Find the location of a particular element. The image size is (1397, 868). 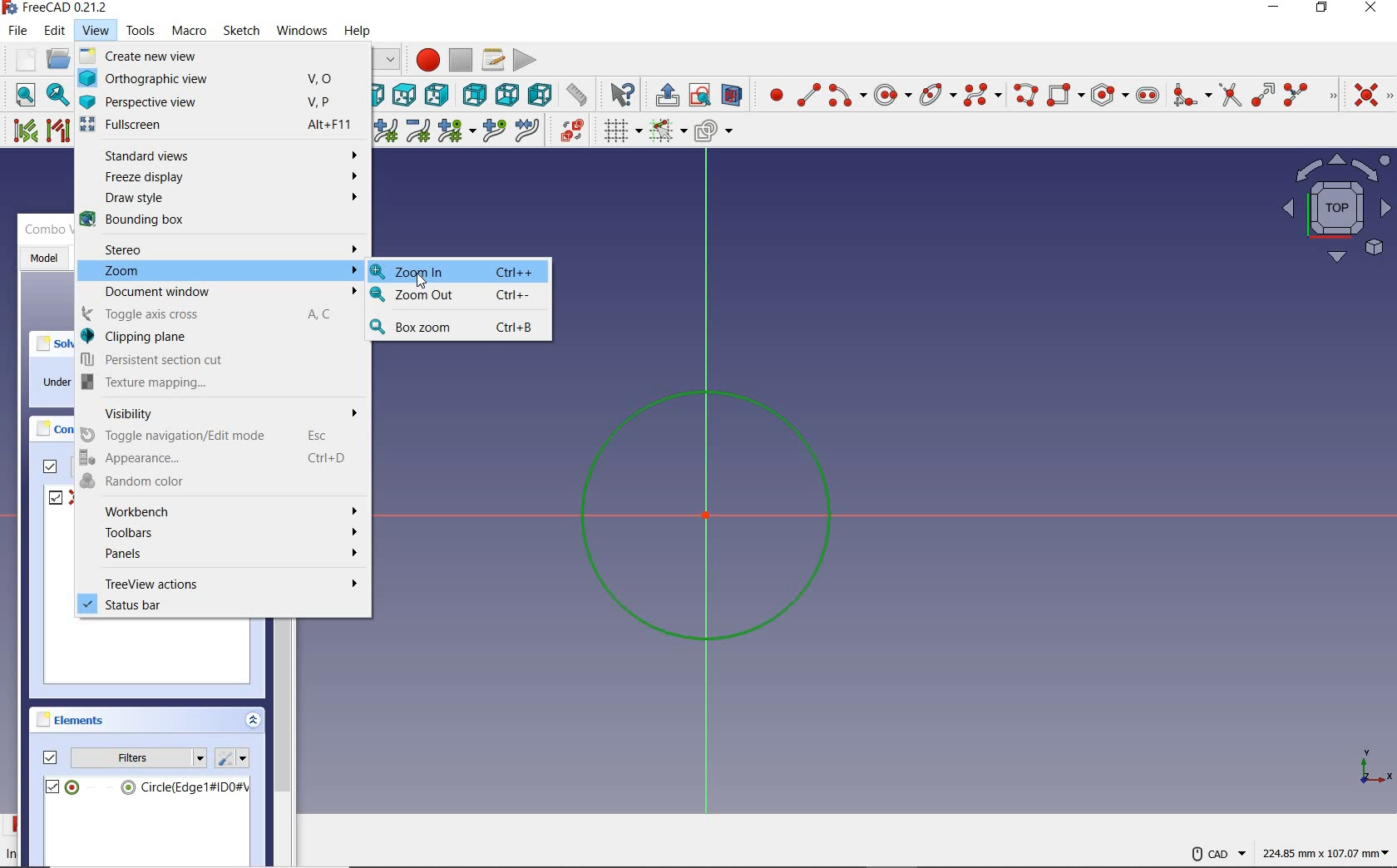

filters is located at coordinates (54, 466).